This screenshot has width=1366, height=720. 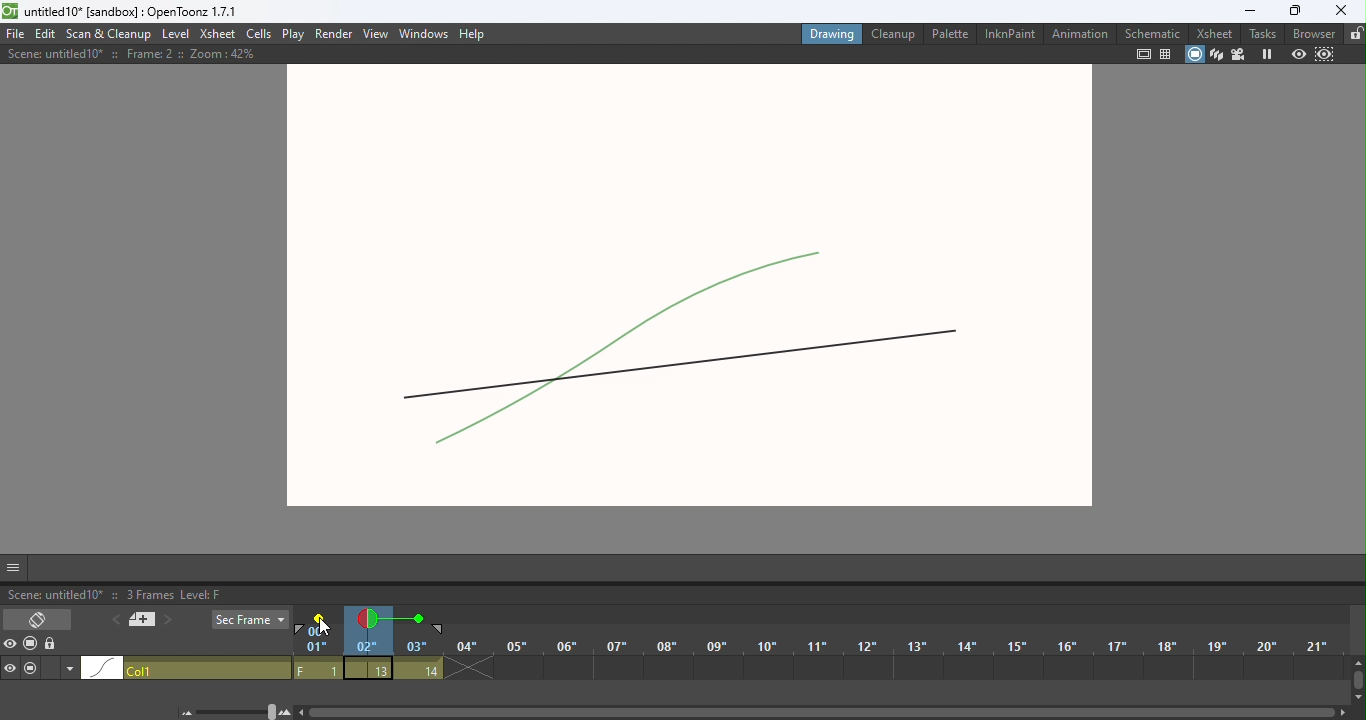 What do you see at coordinates (1310, 32) in the screenshot?
I see `Browser` at bounding box center [1310, 32].